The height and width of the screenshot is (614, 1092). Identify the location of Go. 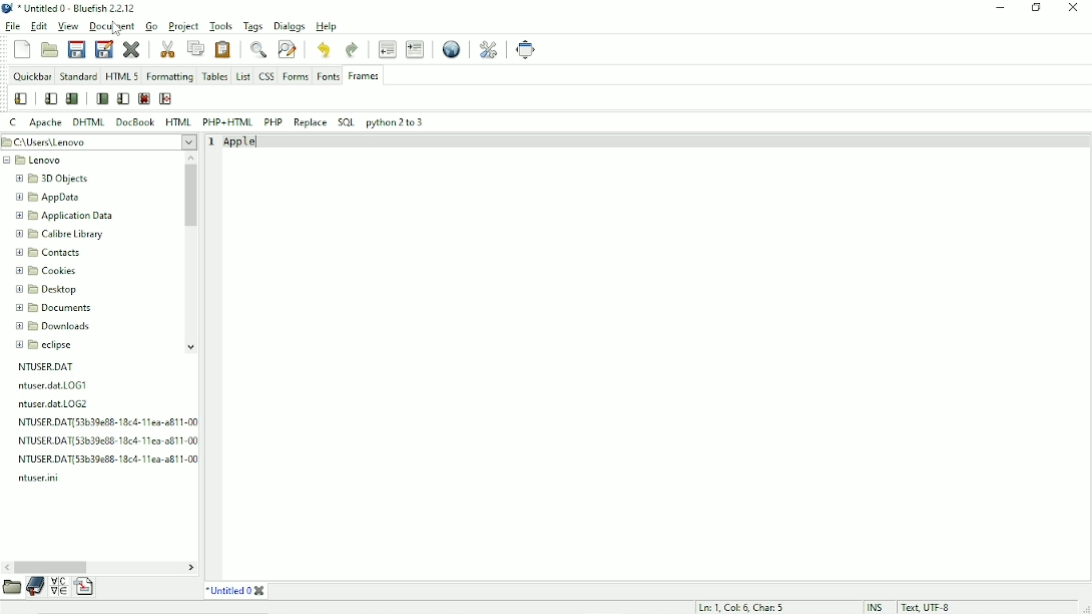
(152, 27).